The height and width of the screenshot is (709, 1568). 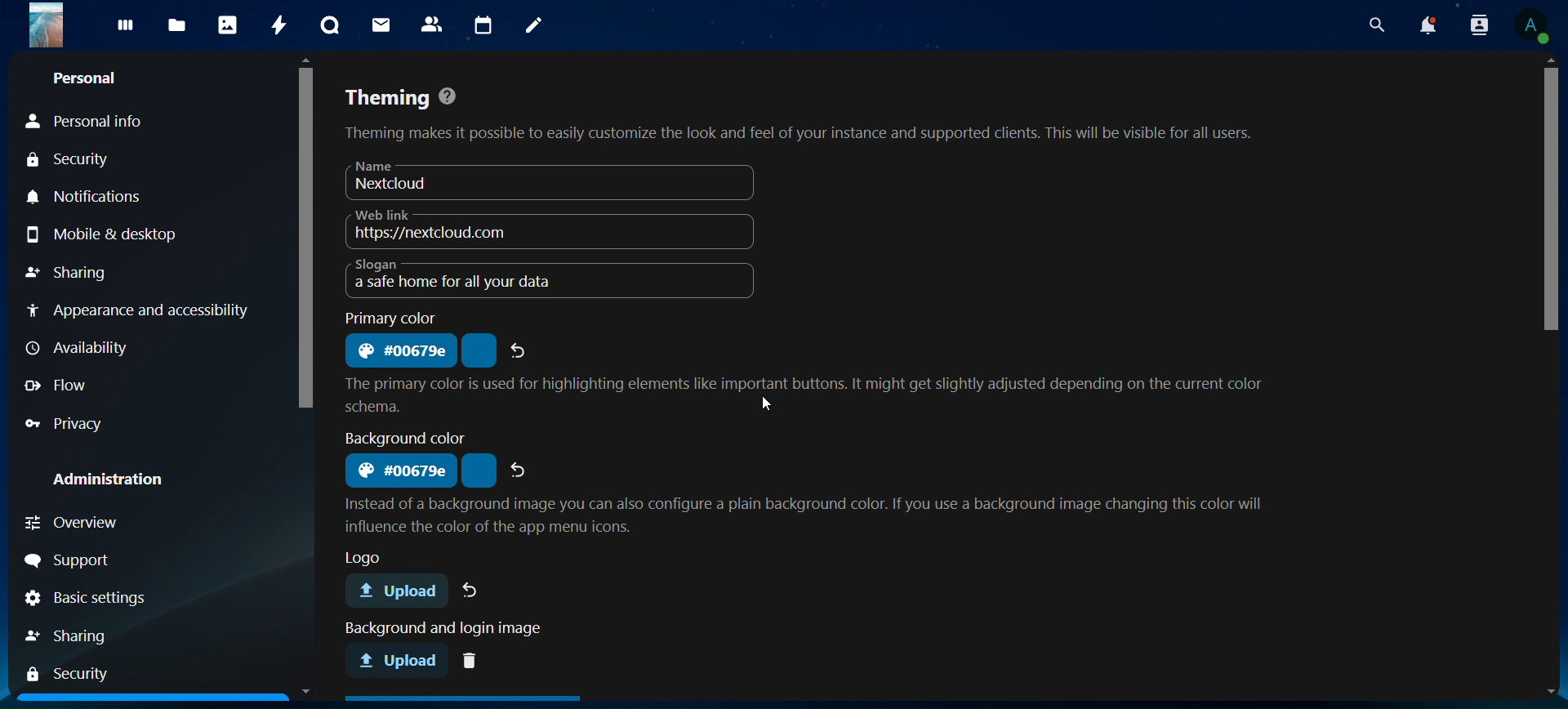 I want to click on activity, so click(x=280, y=24).